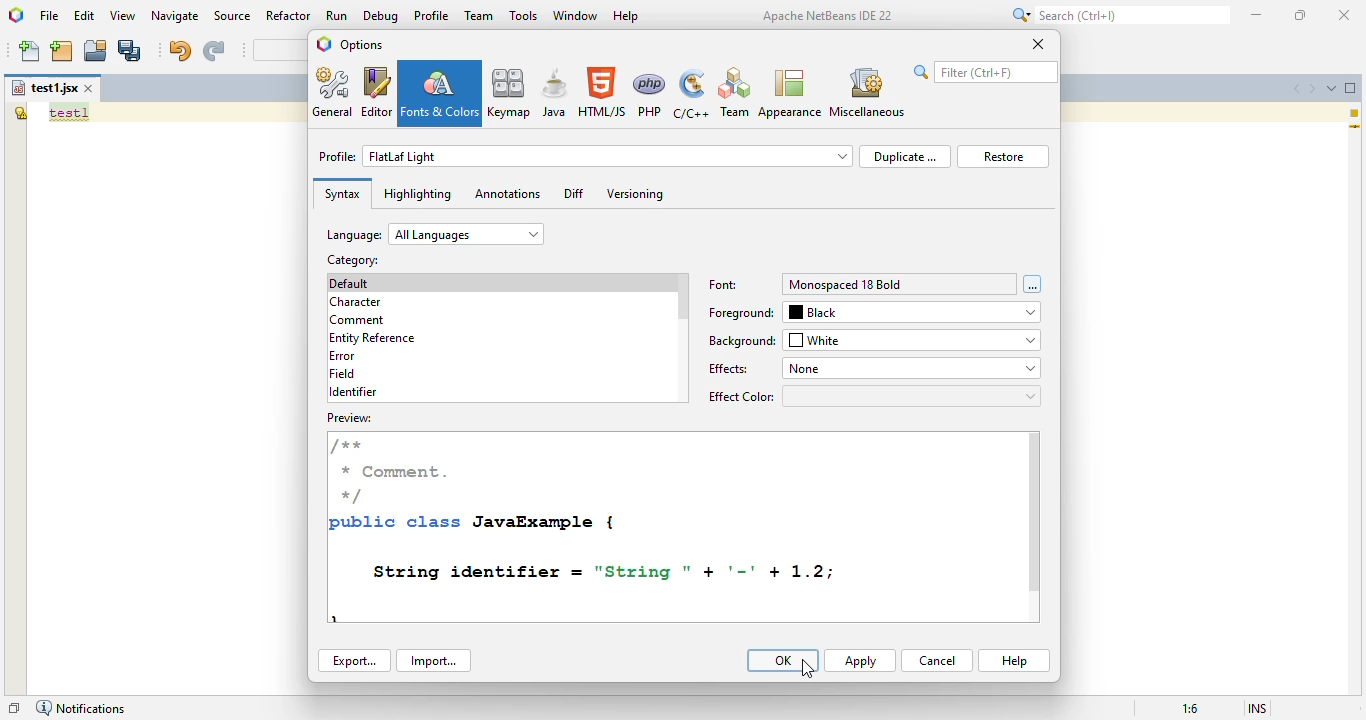 The height and width of the screenshot is (720, 1366). I want to click on logo, so click(324, 43).